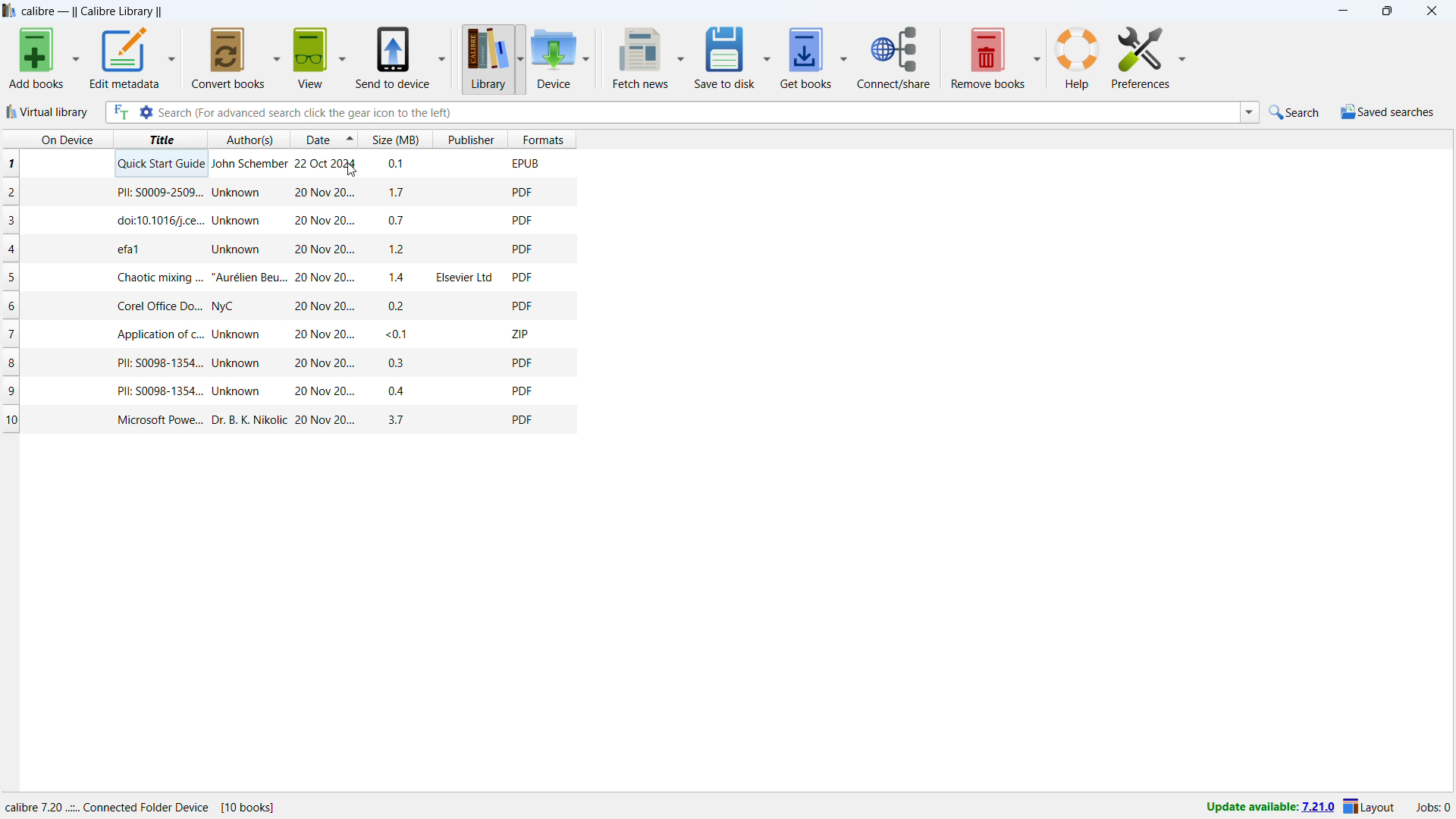 This screenshot has width=1456, height=819. Describe the element at coordinates (988, 58) in the screenshot. I see `remove books` at that location.